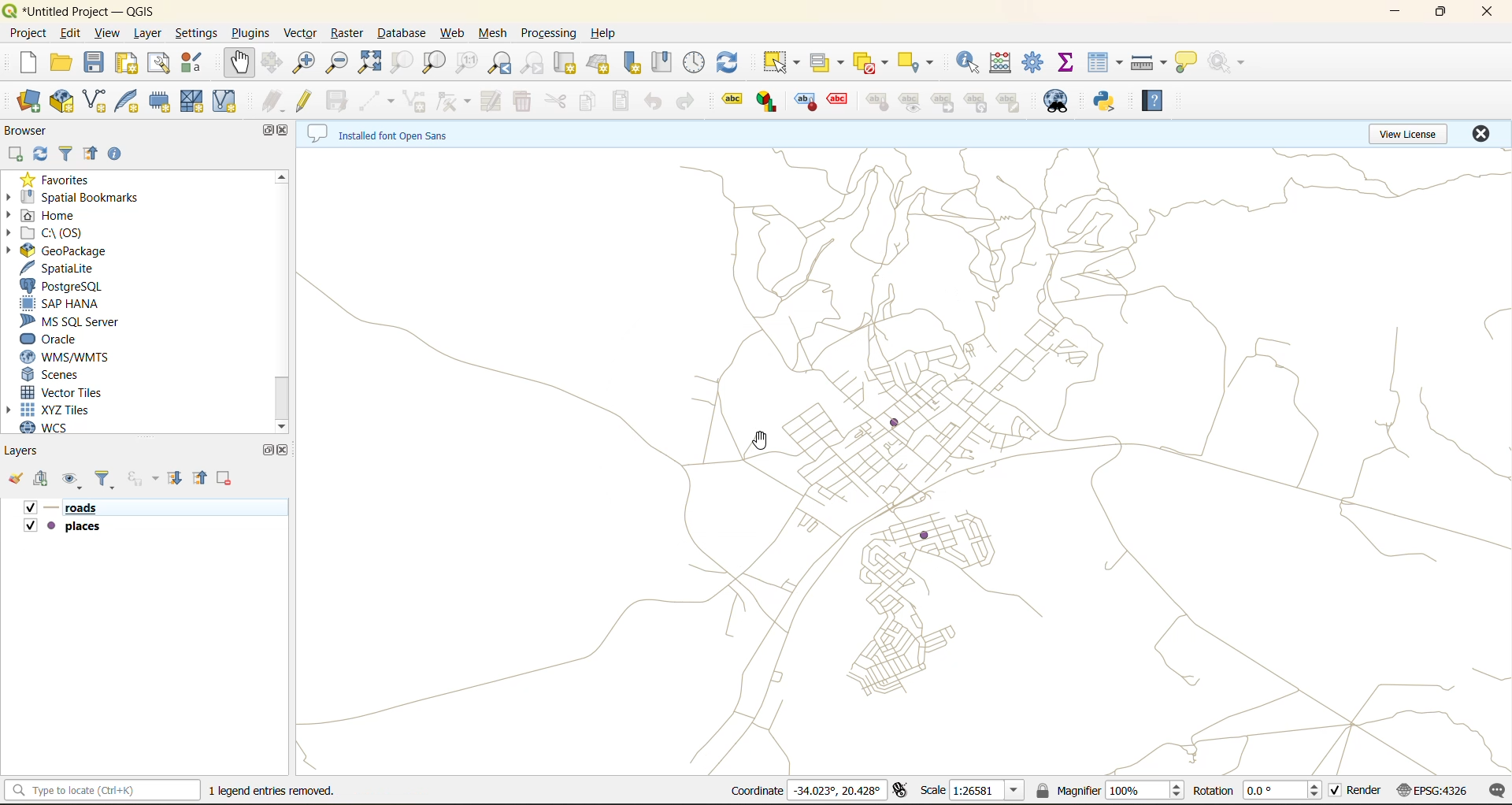  What do you see at coordinates (731, 63) in the screenshot?
I see `refresh` at bounding box center [731, 63].